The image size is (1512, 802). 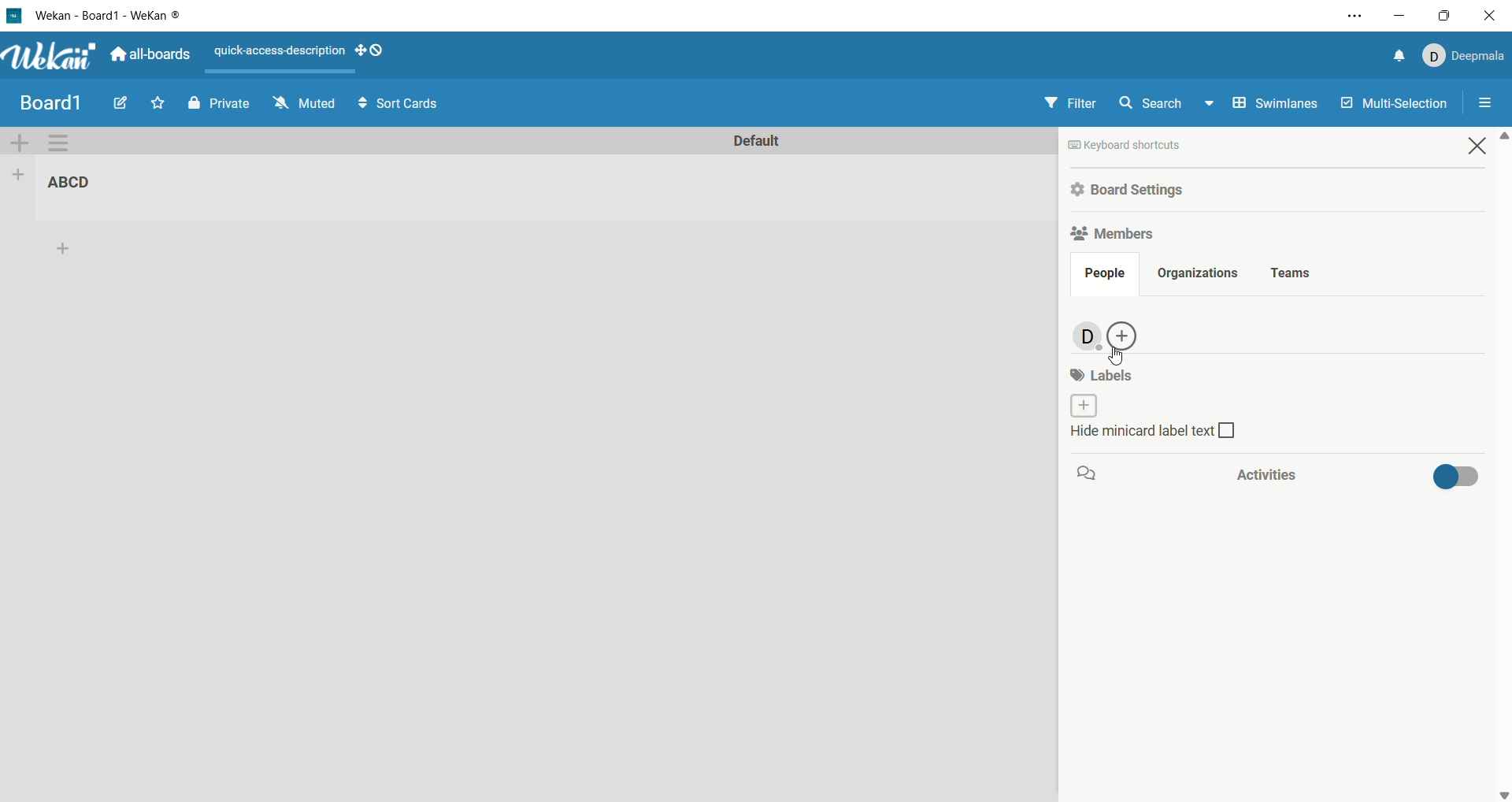 I want to click on edit, so click(x=120, y=102).